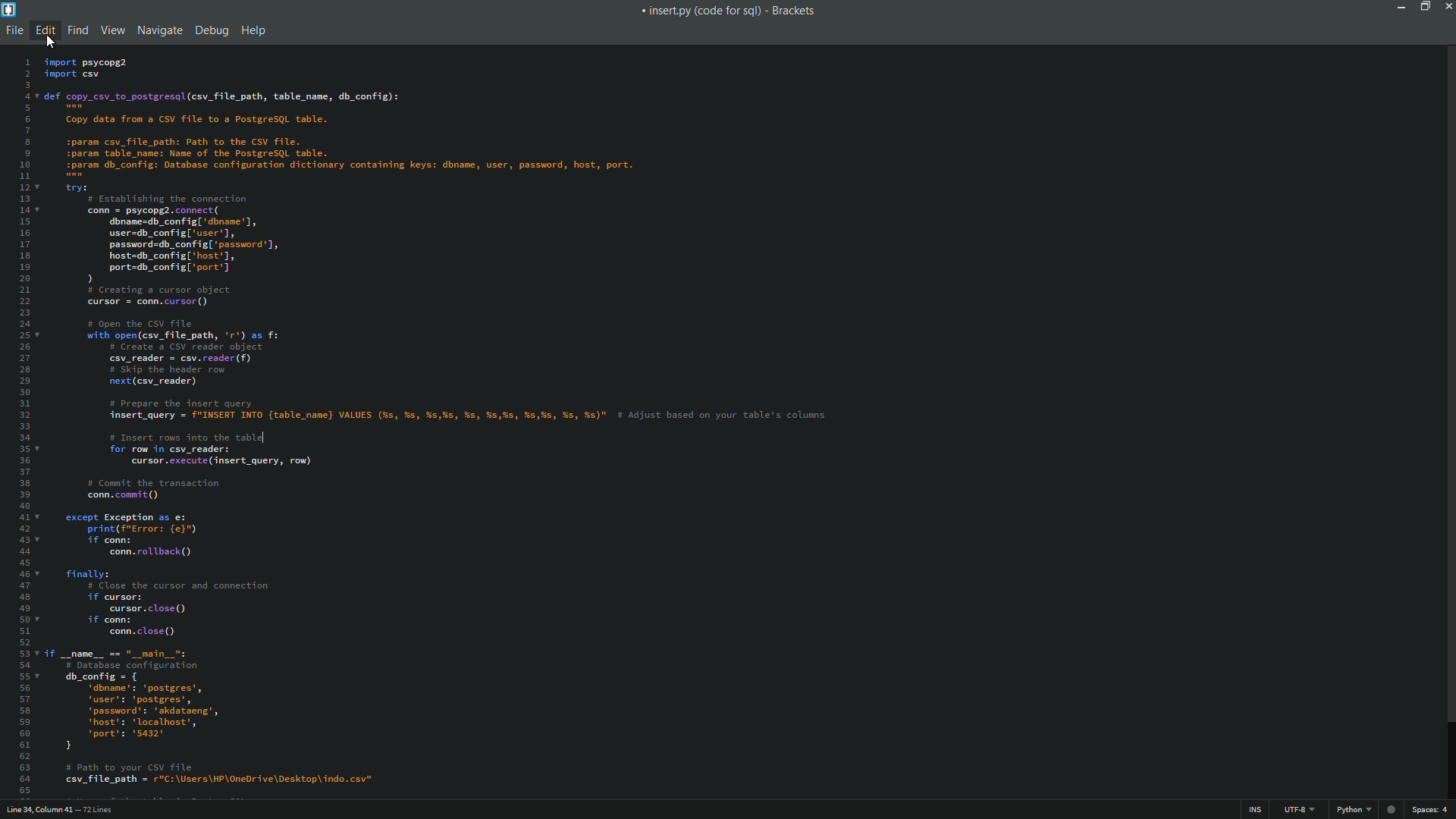 The height and width of the screenshot is (819, 1456). What do you see at coordinates (49, 45) in the screenshot?
I see `cursor` at bounding box center [49, 45].